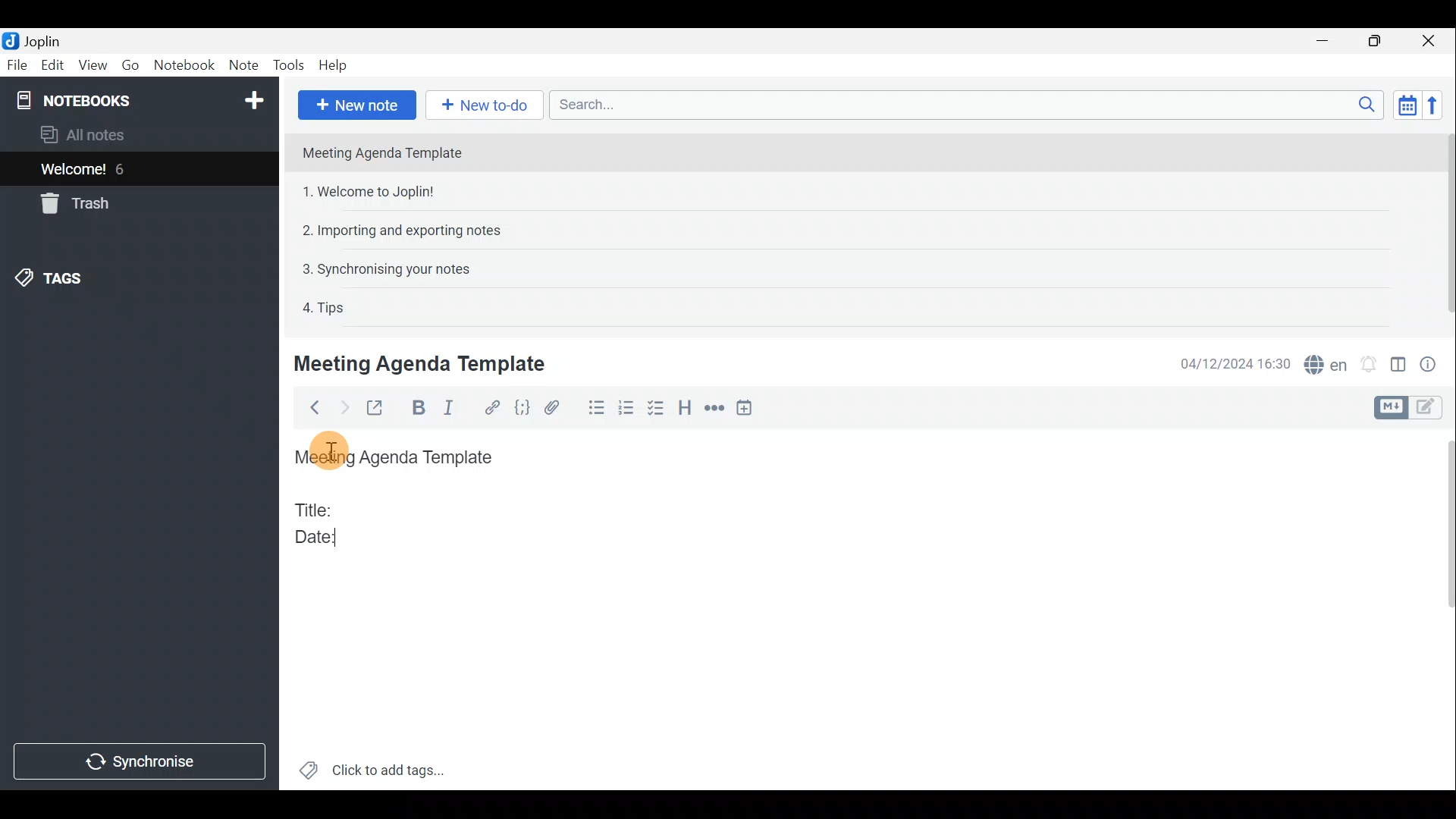  I want to click on Search bar, so click(962, 104).